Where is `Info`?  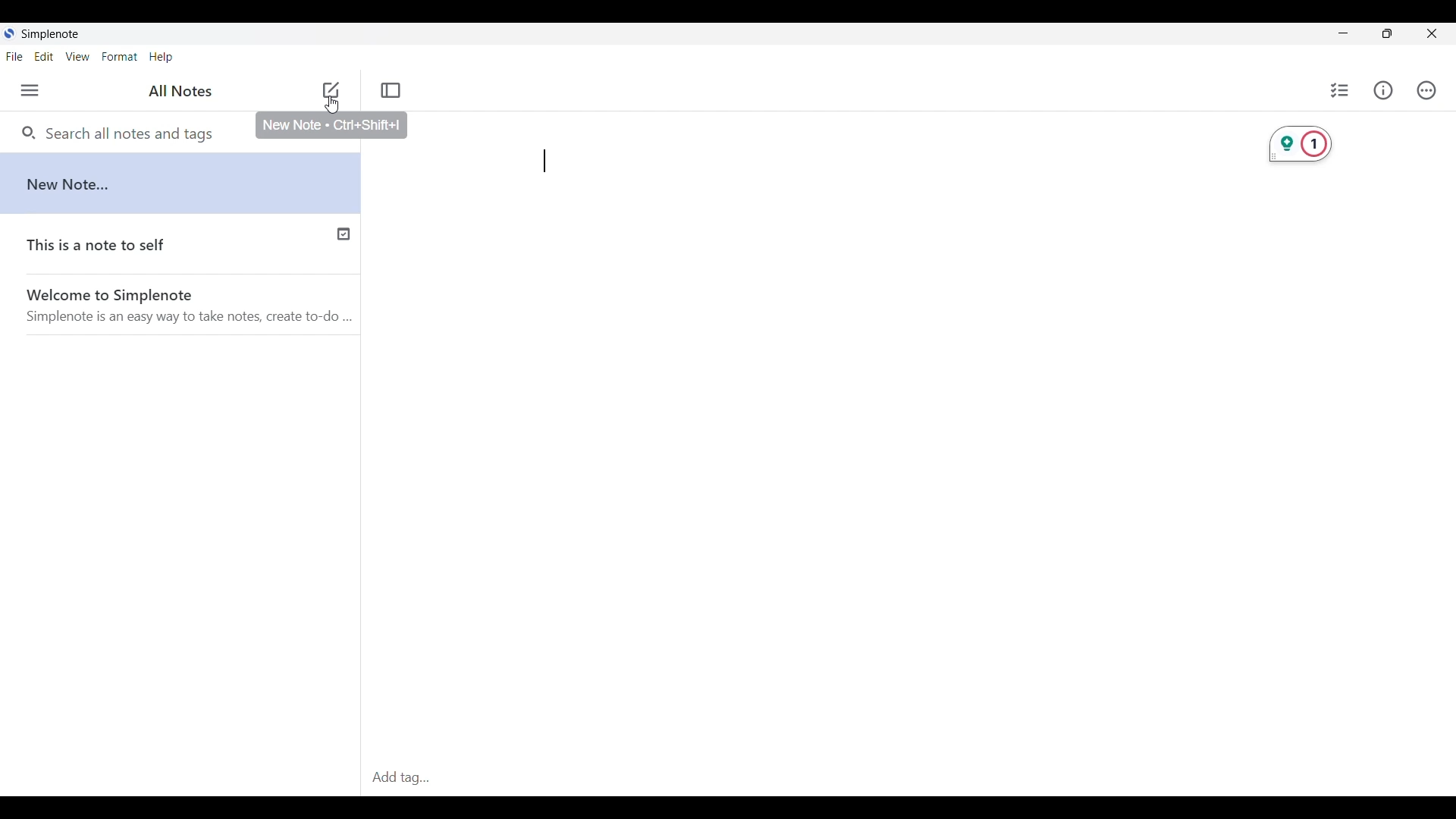
Info is located at coordinates (1383, 89).